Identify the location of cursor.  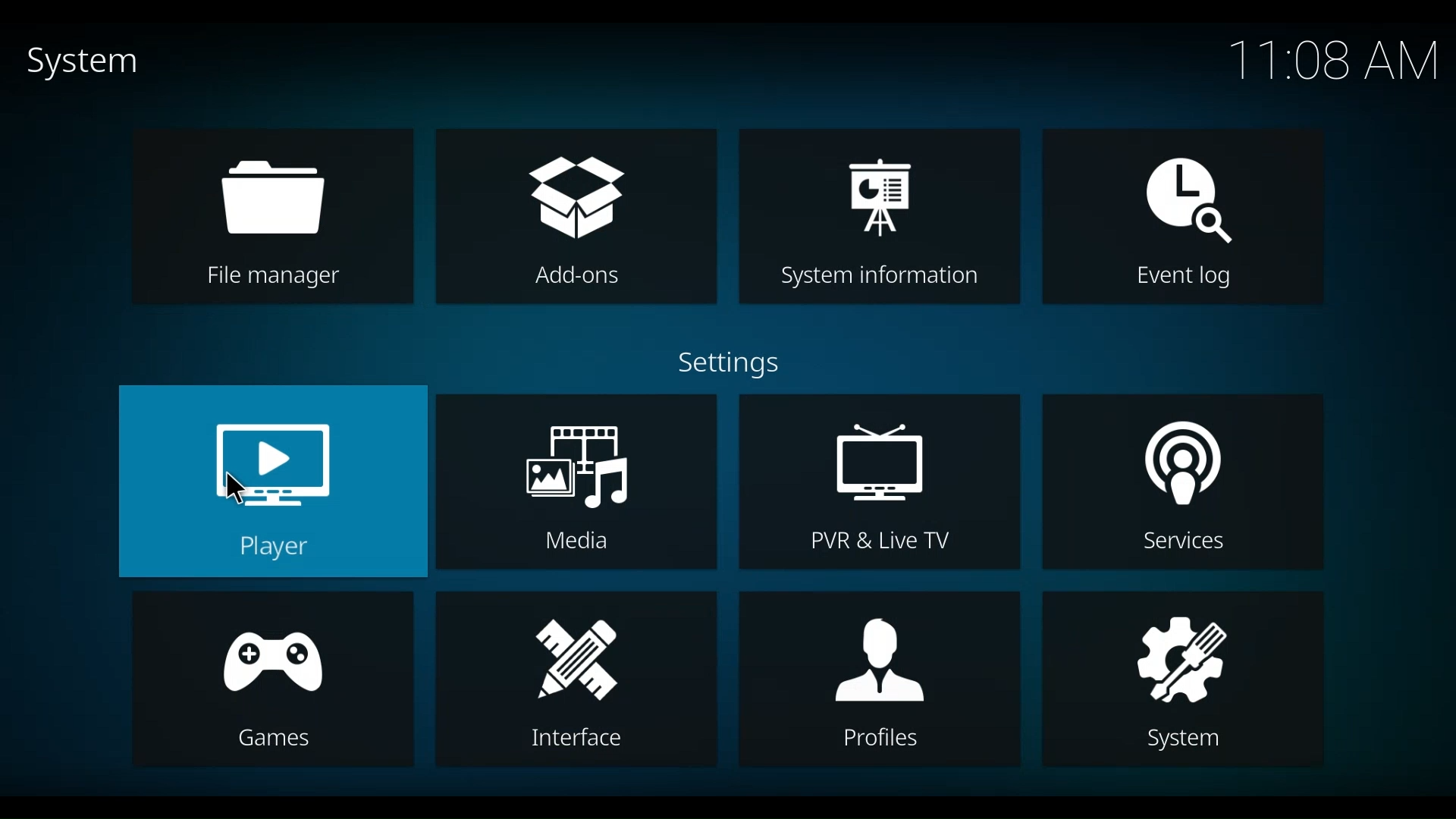
(231, 494).